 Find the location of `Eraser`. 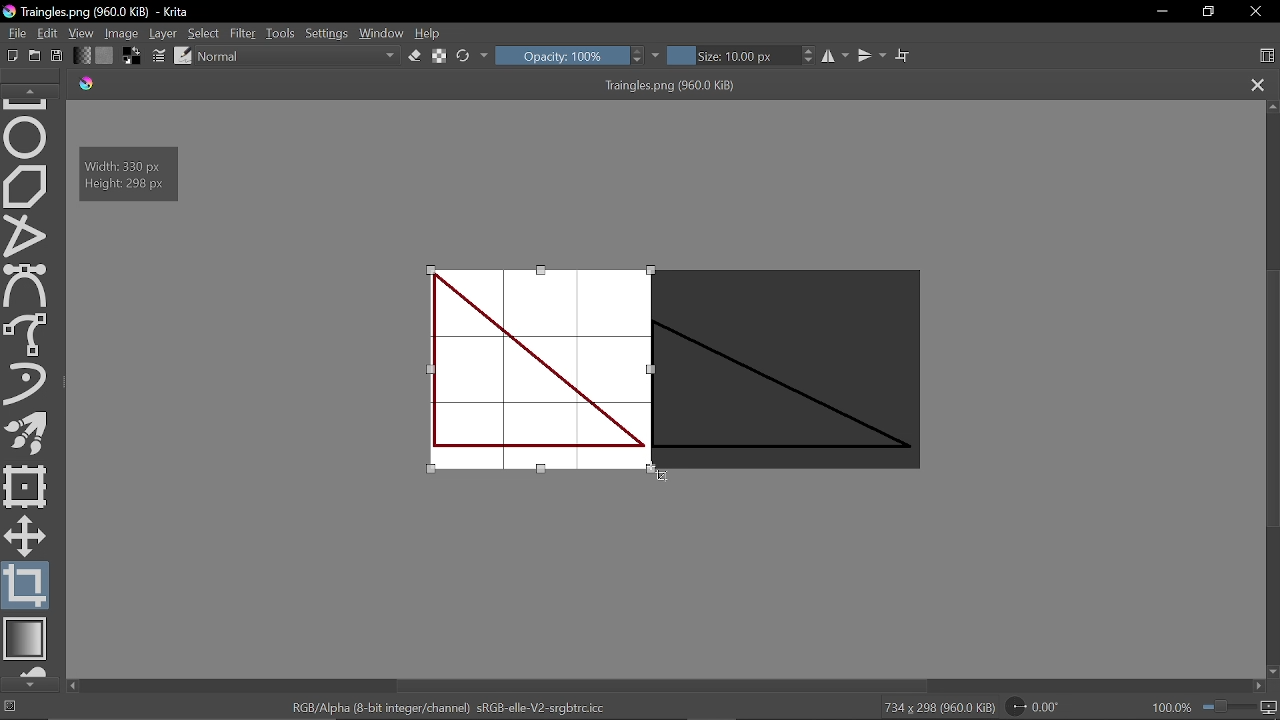

Eraser is located at coordinates (414, 56).